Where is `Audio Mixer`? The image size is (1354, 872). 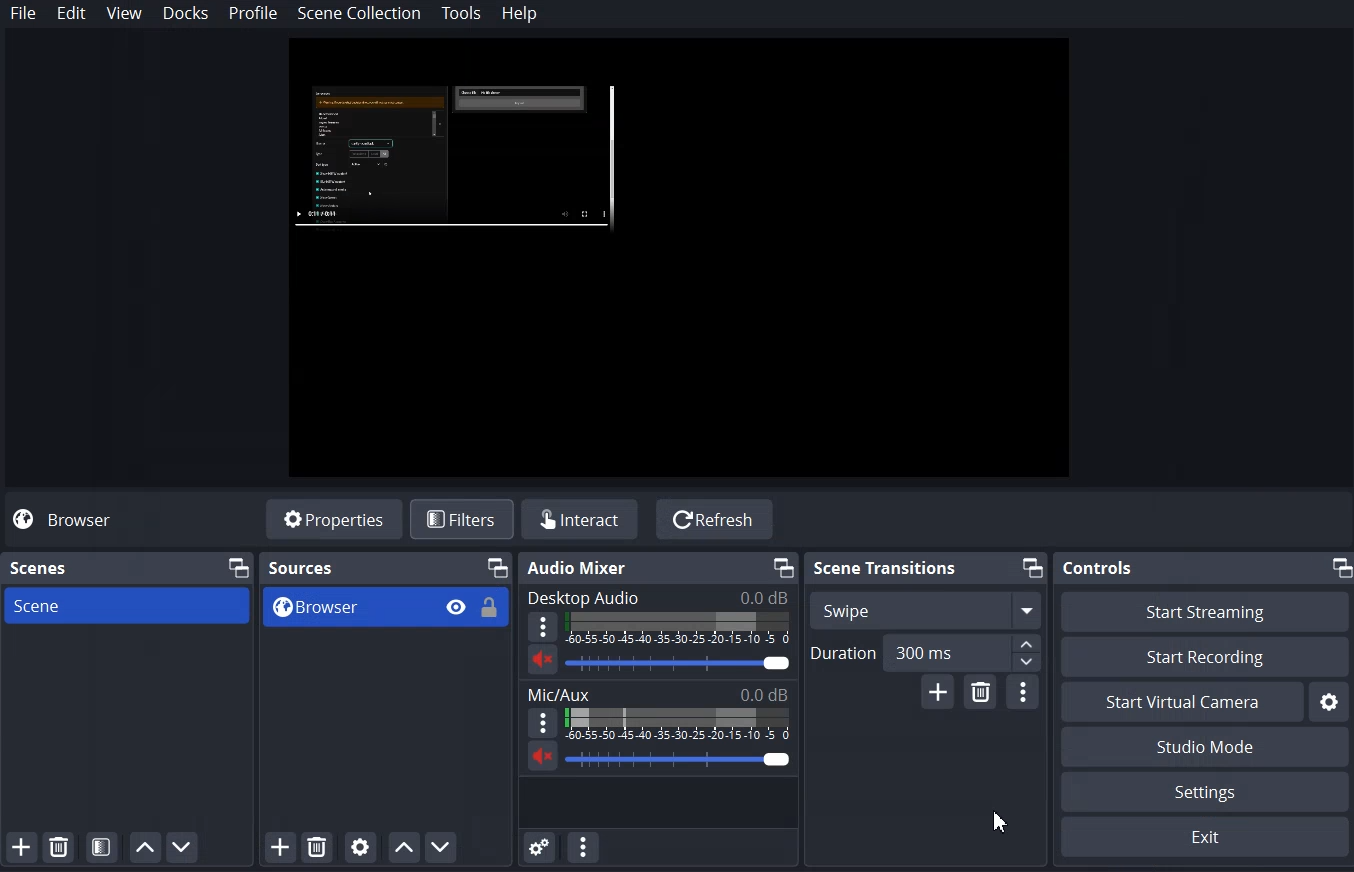 Audio Mixer is located at coordinates (578, 568).